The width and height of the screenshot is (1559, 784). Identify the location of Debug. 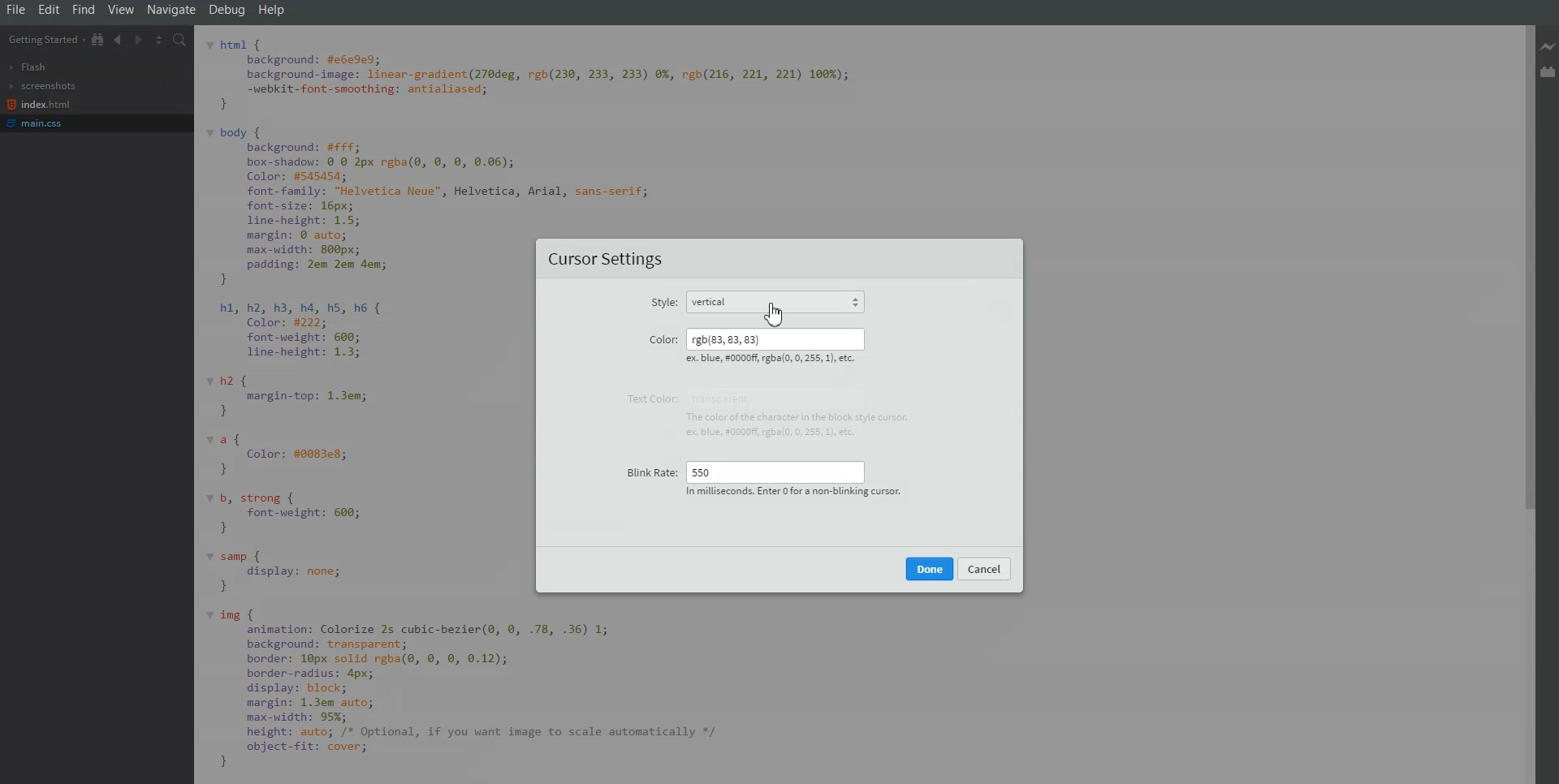
(228, 10).